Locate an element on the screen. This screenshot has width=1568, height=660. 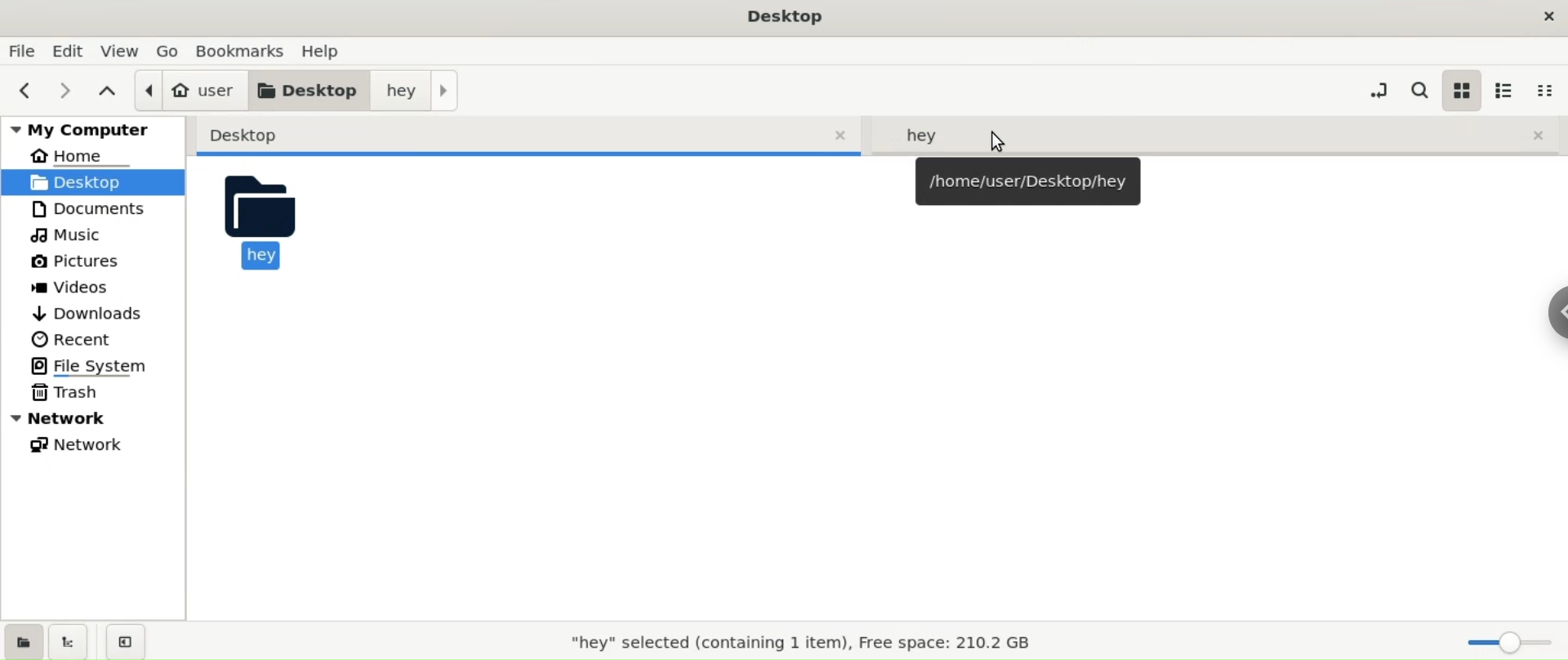
pictures is located at coordinates (100, 263).